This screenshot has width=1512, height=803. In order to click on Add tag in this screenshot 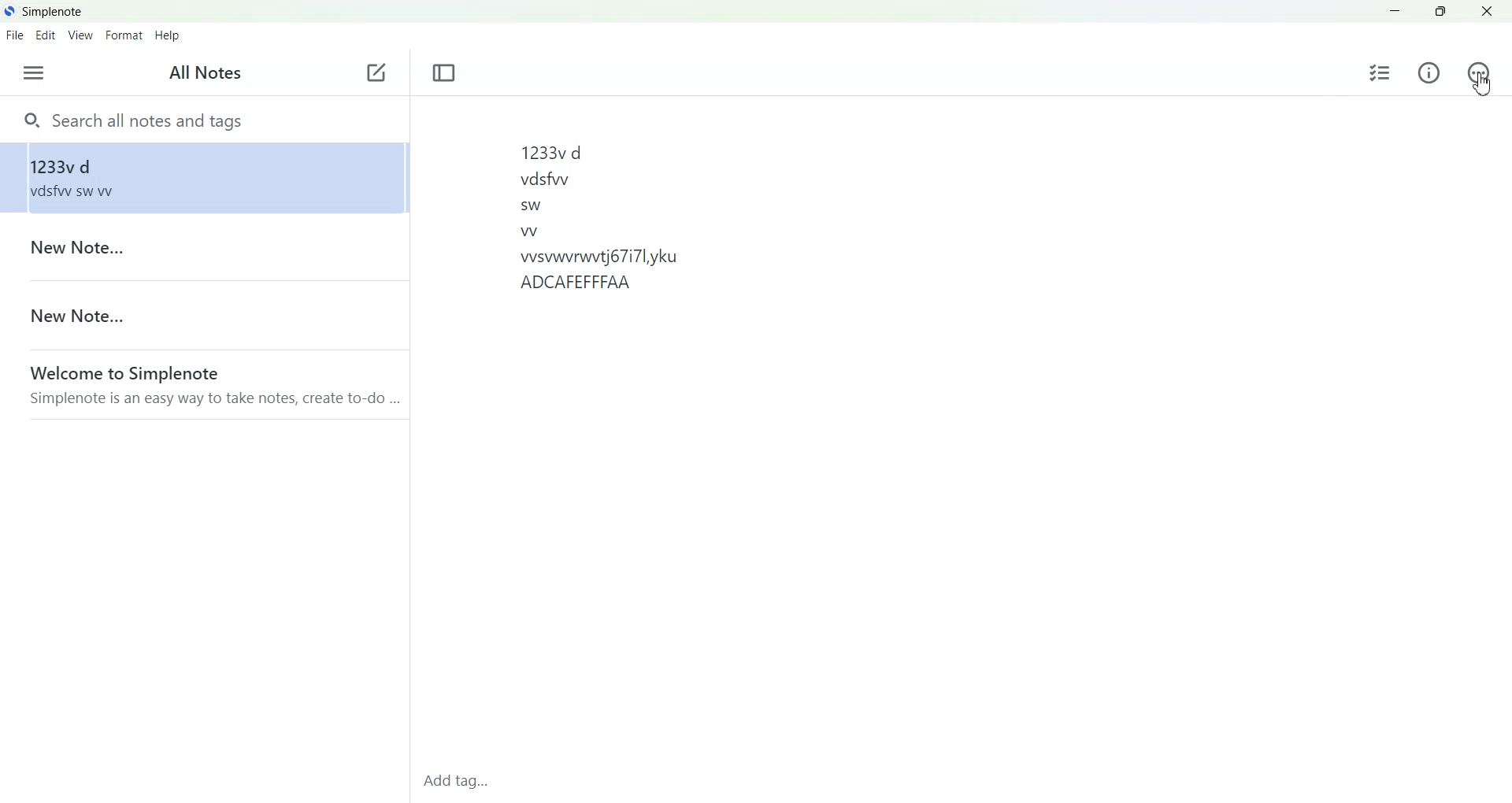, I will do `click(462, 785)`.